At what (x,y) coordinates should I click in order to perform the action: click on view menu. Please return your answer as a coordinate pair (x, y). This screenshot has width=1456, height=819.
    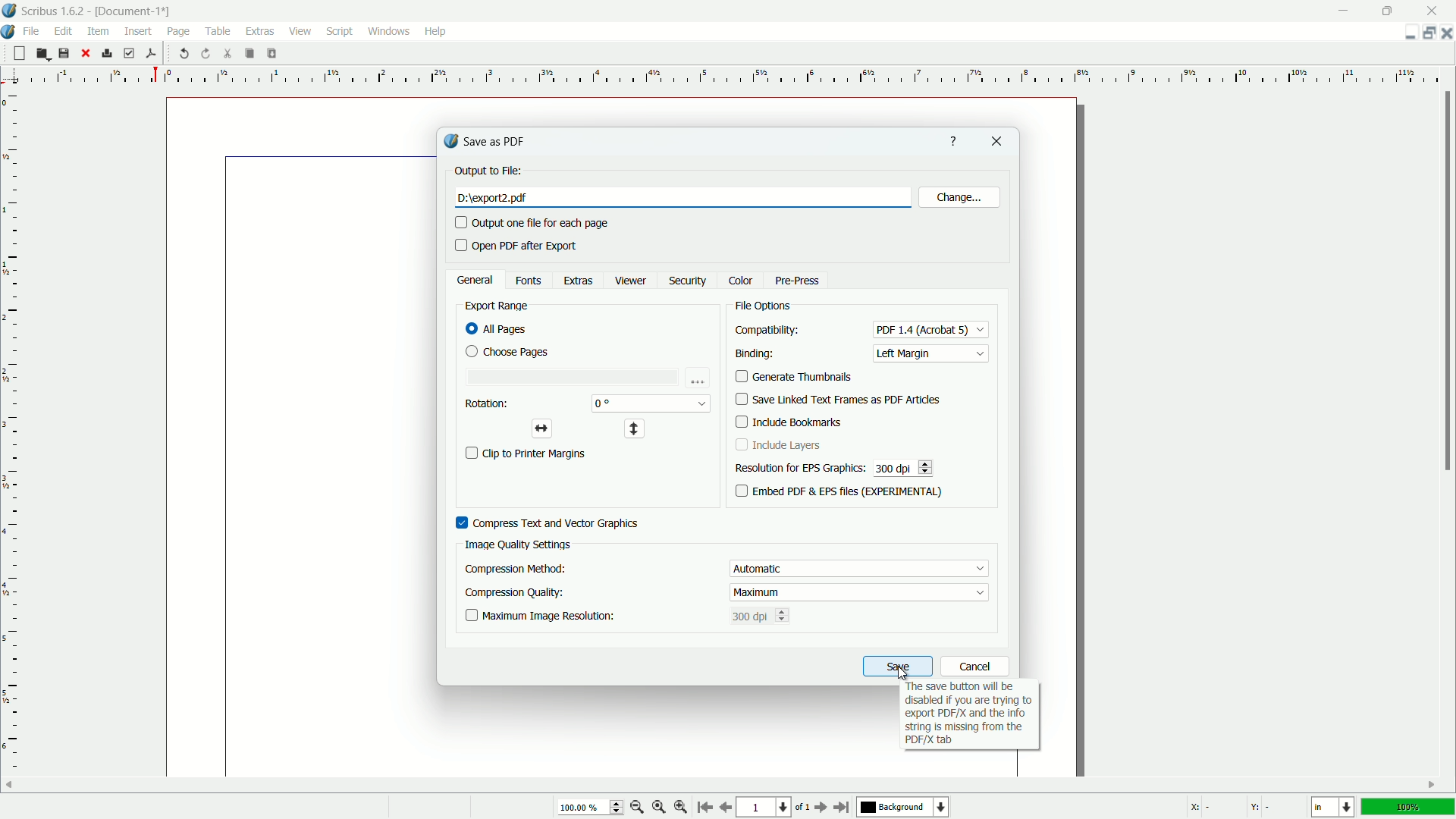
    Looking at the image, I should click on (301, 32).